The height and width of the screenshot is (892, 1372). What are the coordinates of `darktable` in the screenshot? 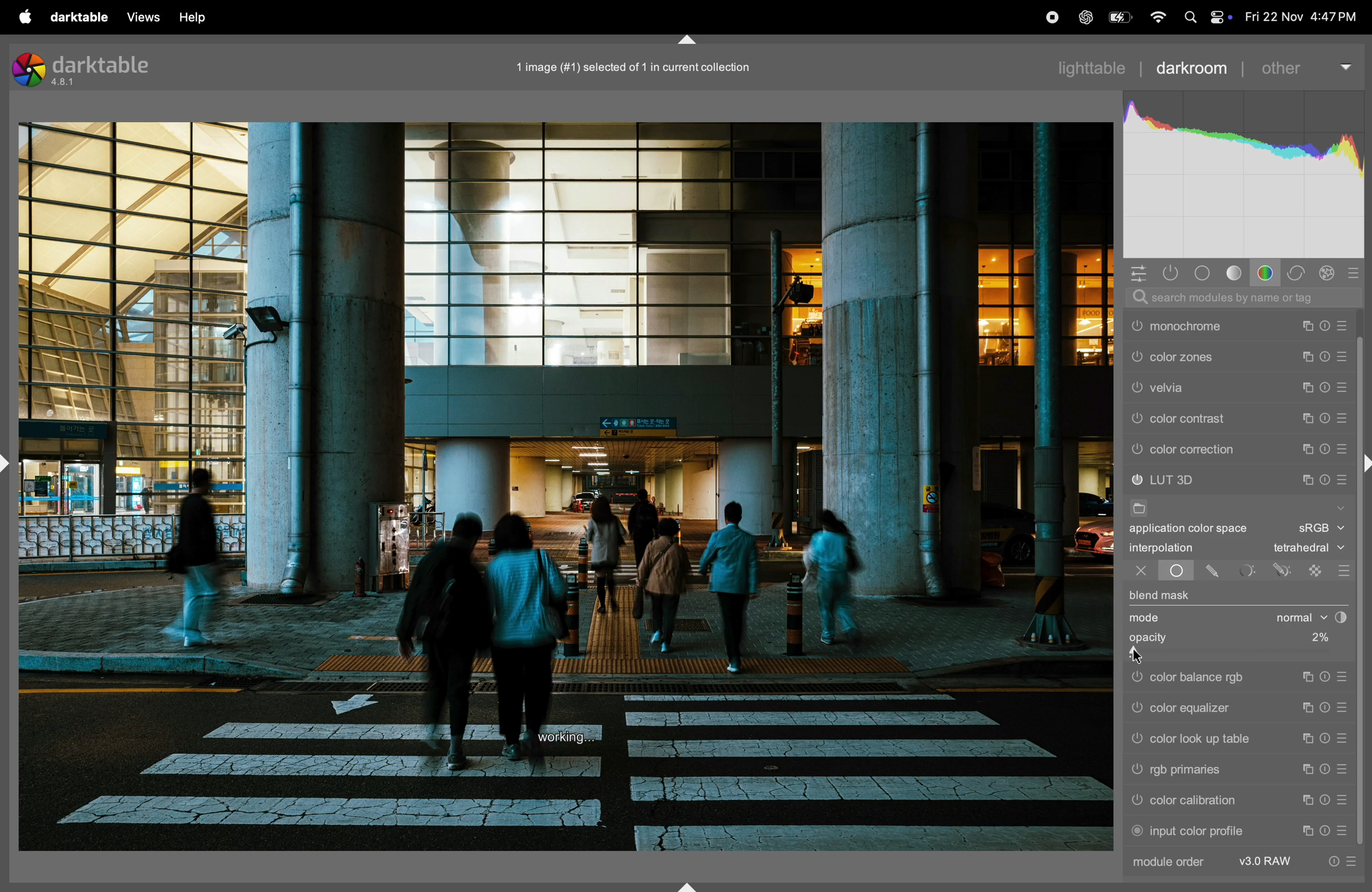 It's located at (80, 16).